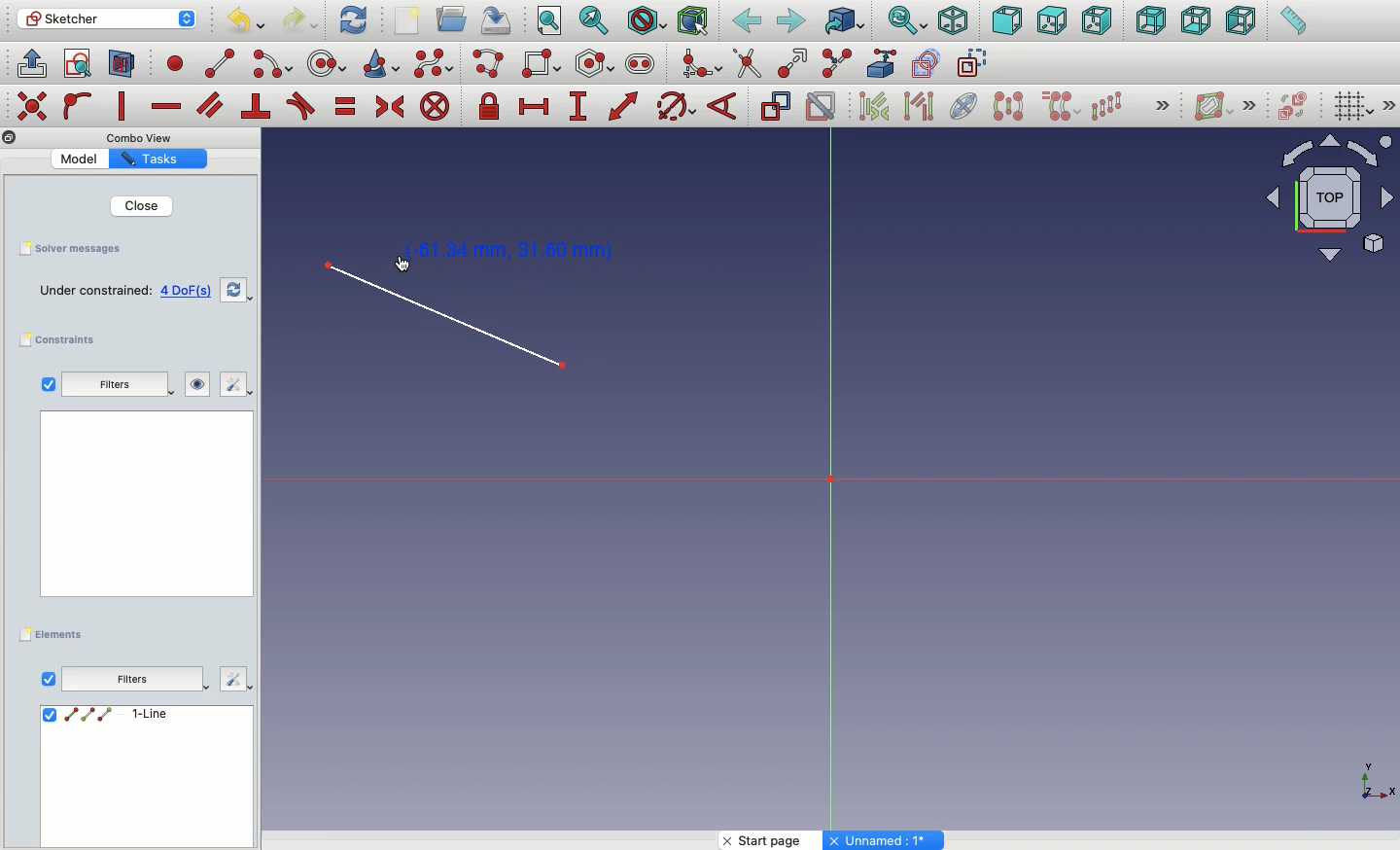 This screenshot has height=850, width=1400. Describe the element at coordinates (492, 64) in the screenshot. I see `Polyline` at that location.